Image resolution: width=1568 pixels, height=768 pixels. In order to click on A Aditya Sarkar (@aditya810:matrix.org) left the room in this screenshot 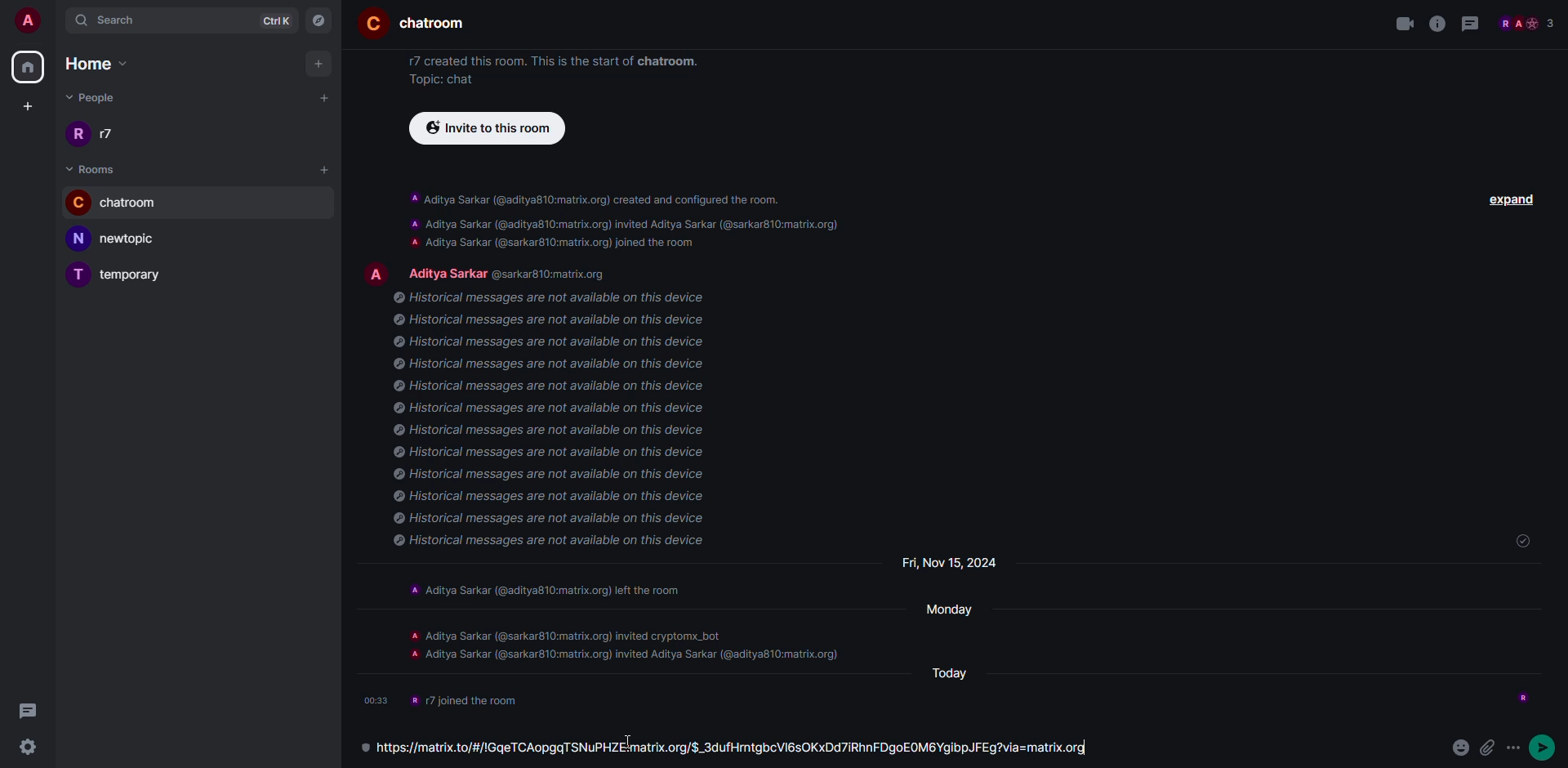, I will do `click(556, 588)`.